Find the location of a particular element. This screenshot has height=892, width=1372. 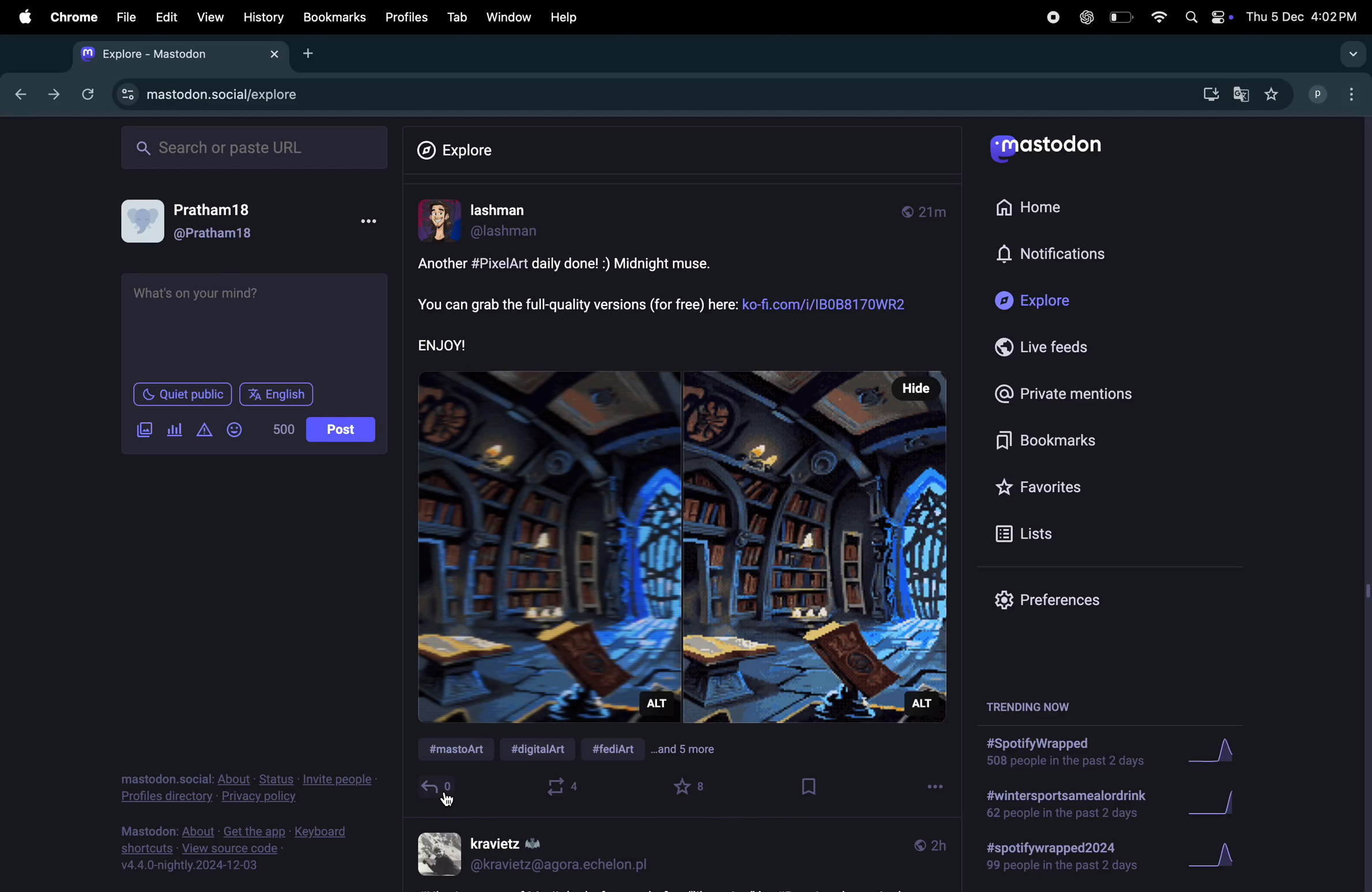

record is located at coordinates (1051, 18).